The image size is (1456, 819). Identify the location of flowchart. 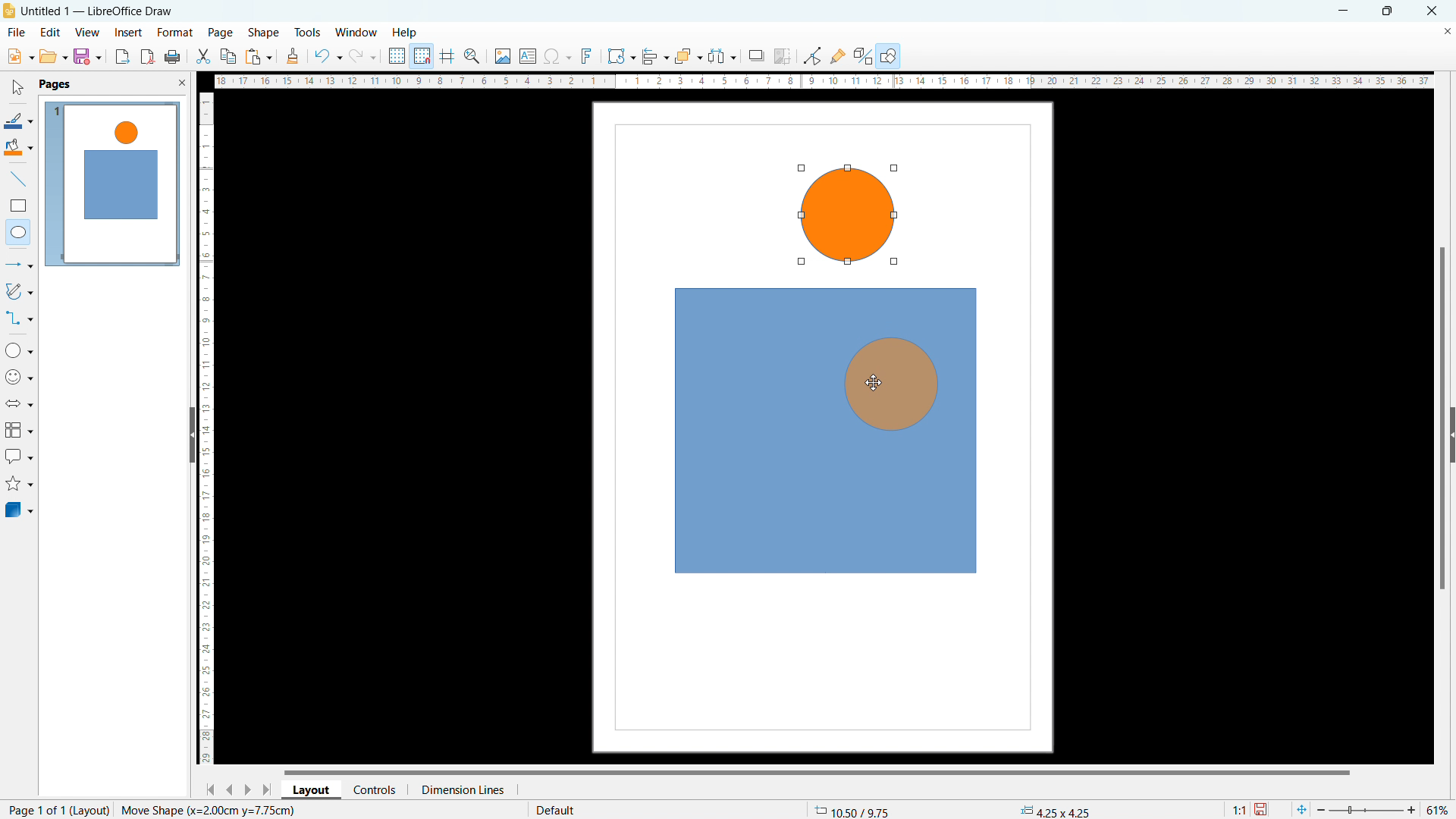
(20, 430).